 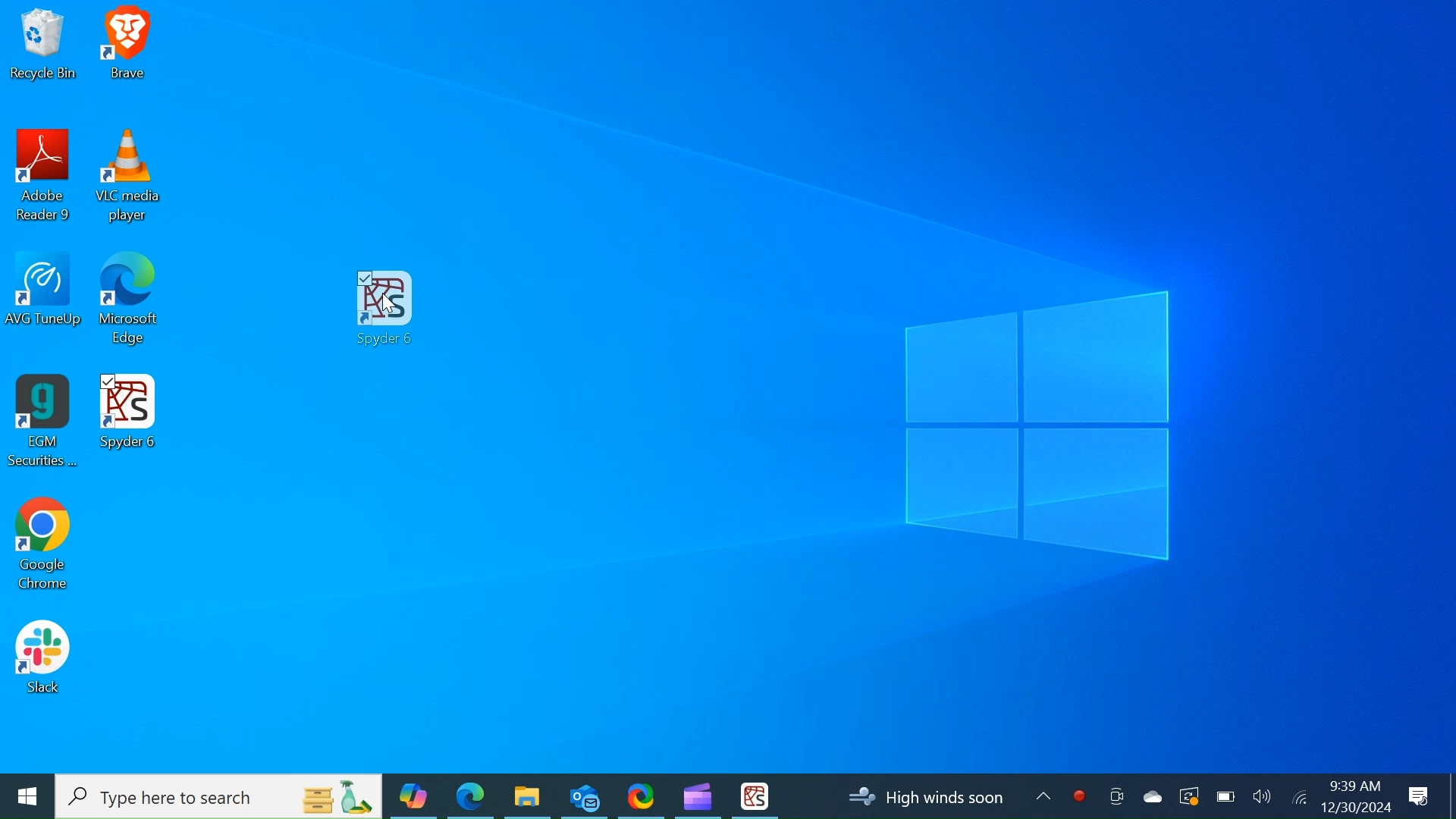 What do you see at coordinates (42, 548) in the screenshot?
I see `Google Chrome Desktop Icon` at bounding box center [42, 548].